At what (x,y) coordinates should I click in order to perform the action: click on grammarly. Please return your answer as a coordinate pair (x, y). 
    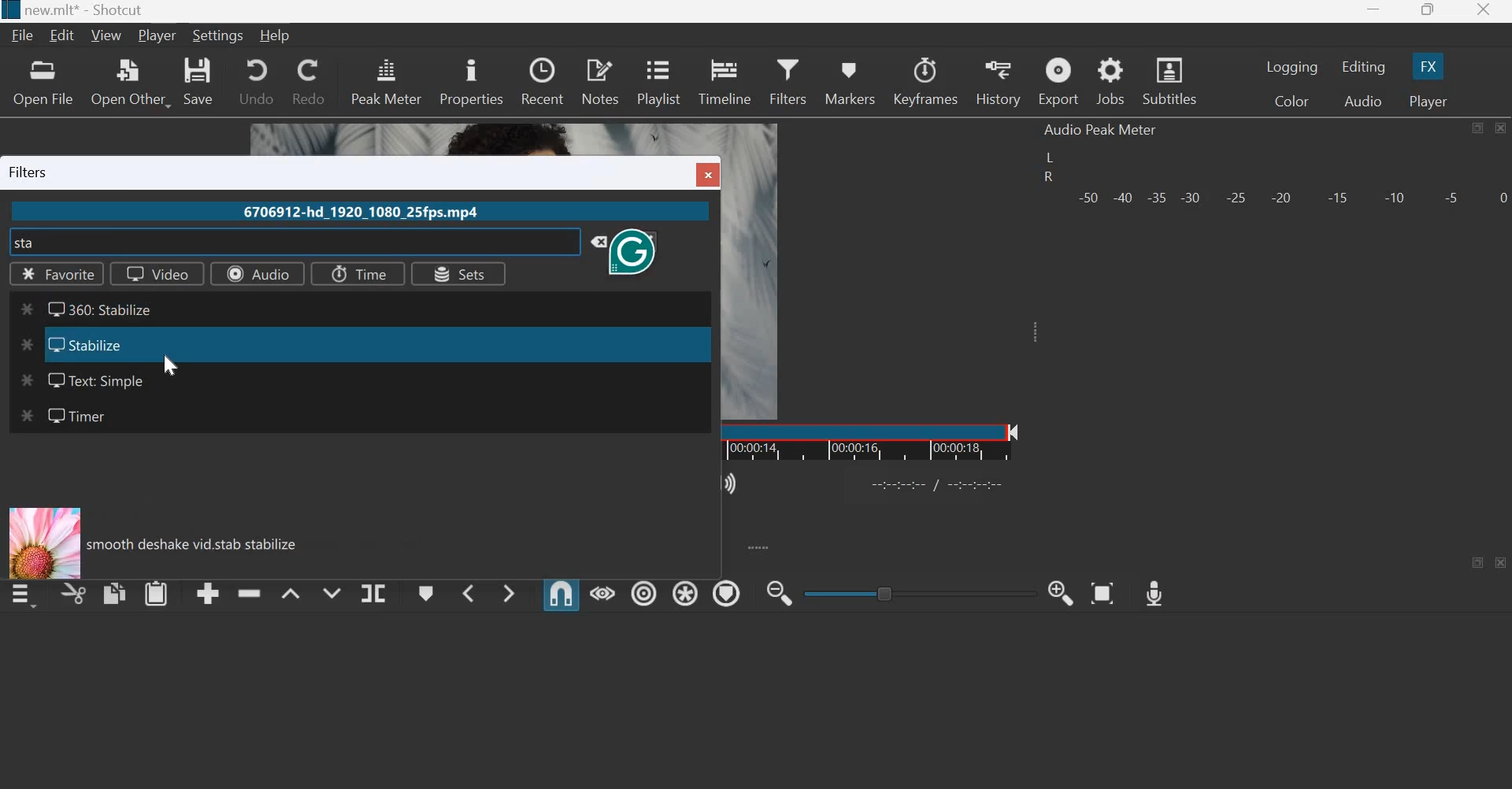
    Looking at the image, I should click on (637, 252).